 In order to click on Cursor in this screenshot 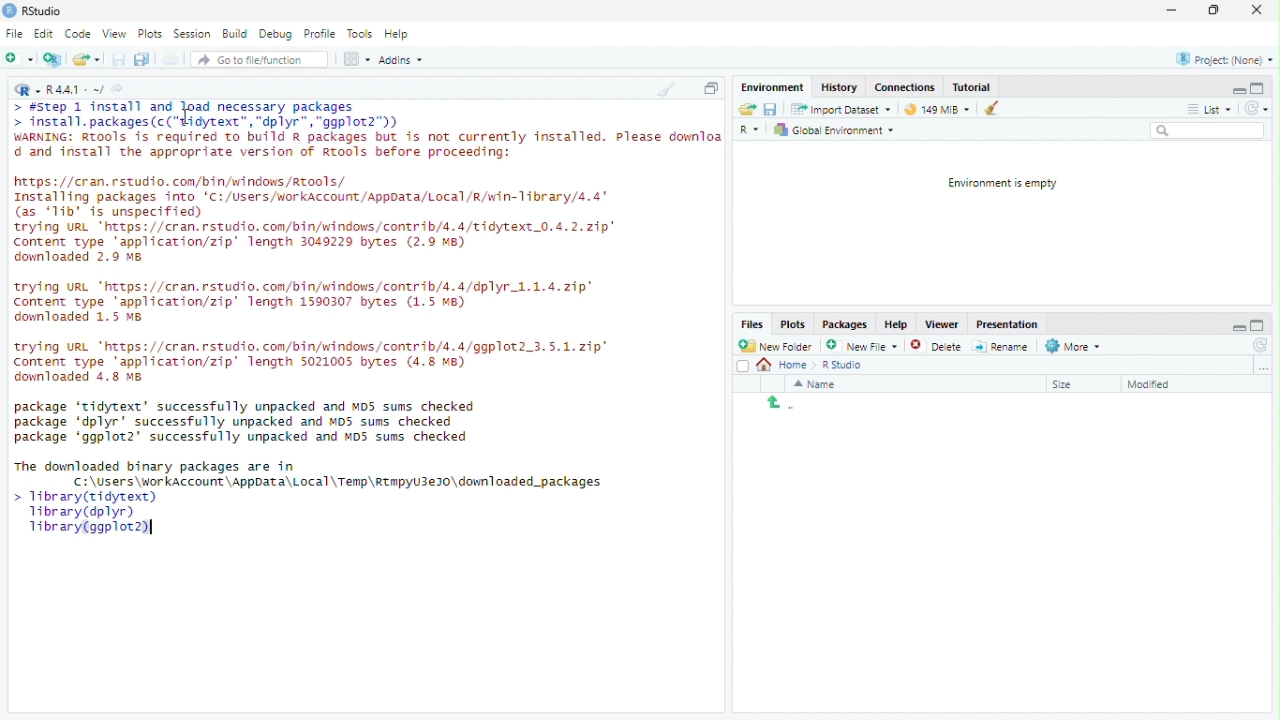, I will do `click(188, 117)`.